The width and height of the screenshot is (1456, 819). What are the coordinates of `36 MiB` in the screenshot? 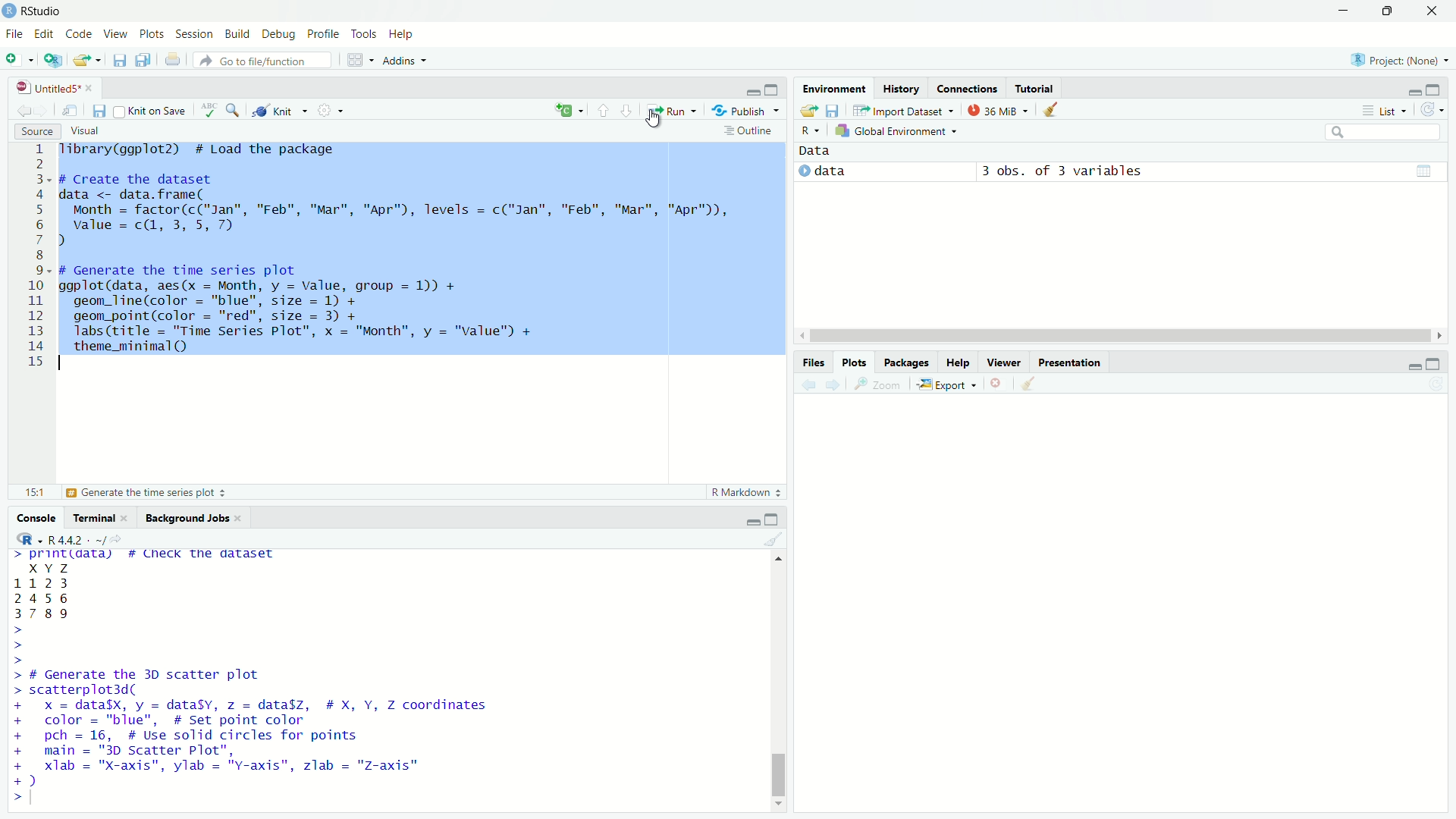 It's located at (996, 110).